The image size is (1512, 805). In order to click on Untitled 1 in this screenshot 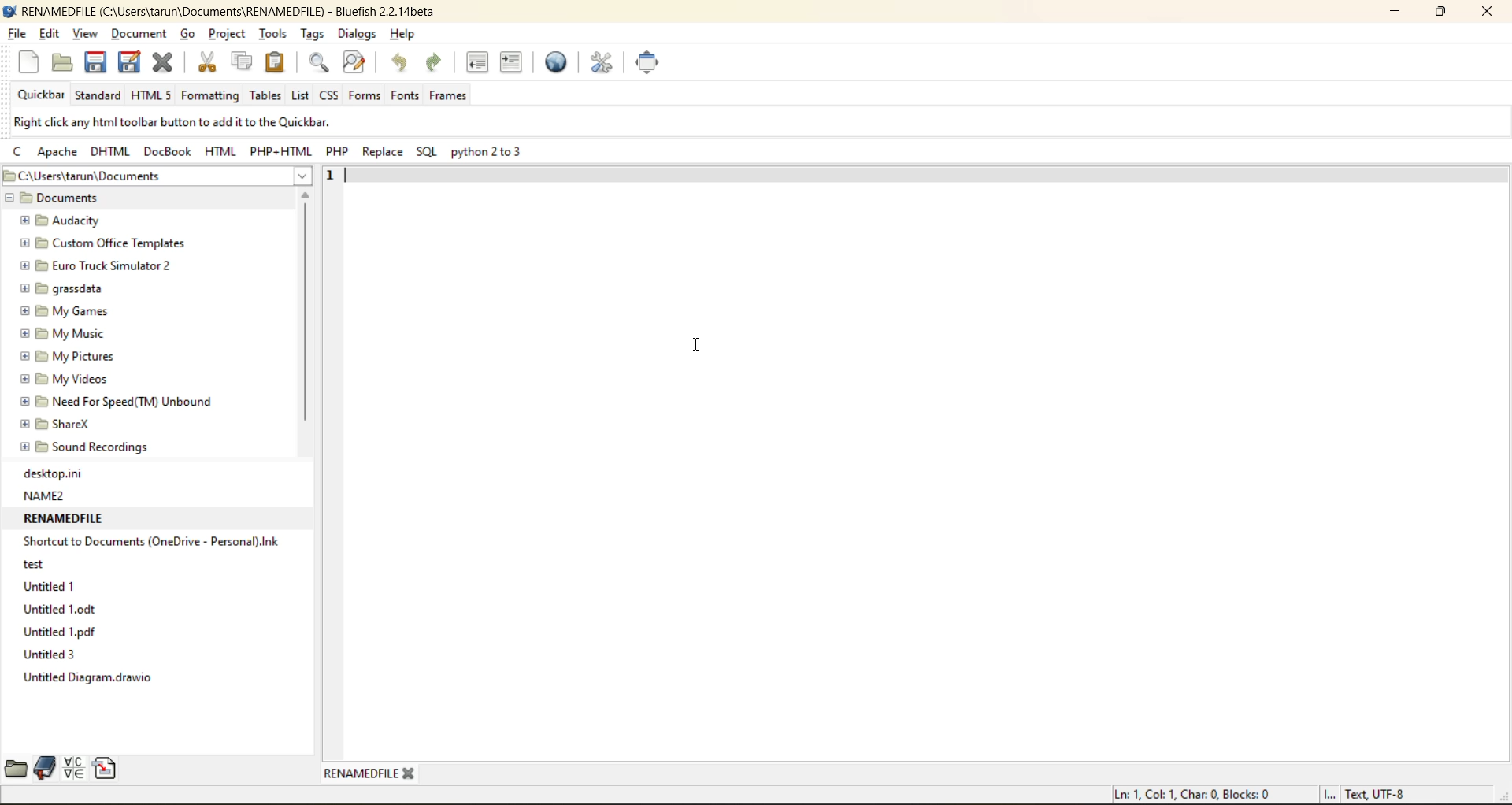, I will do `click(56, 587)`.